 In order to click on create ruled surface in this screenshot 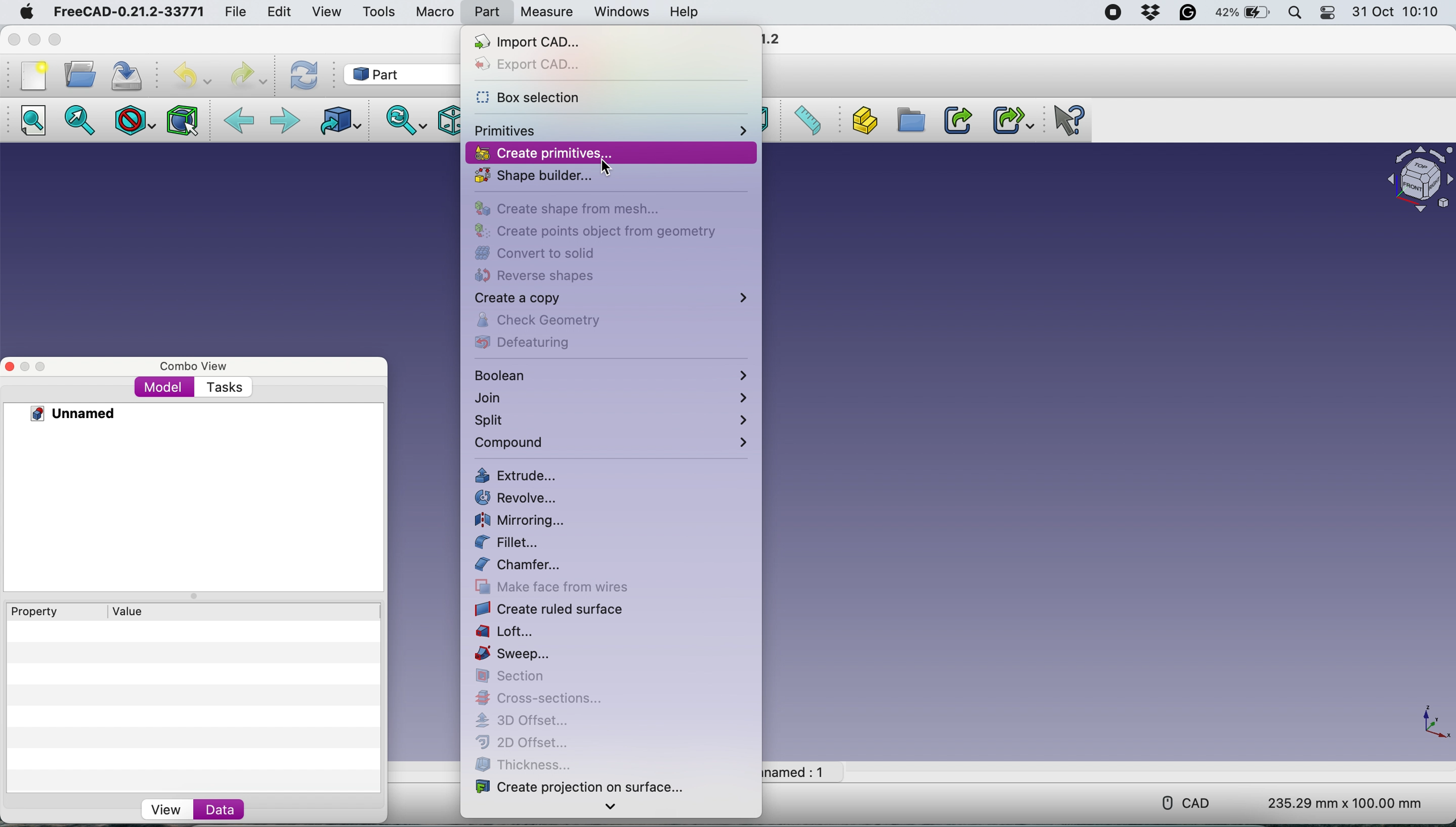, I will do `click(552, 609)`.